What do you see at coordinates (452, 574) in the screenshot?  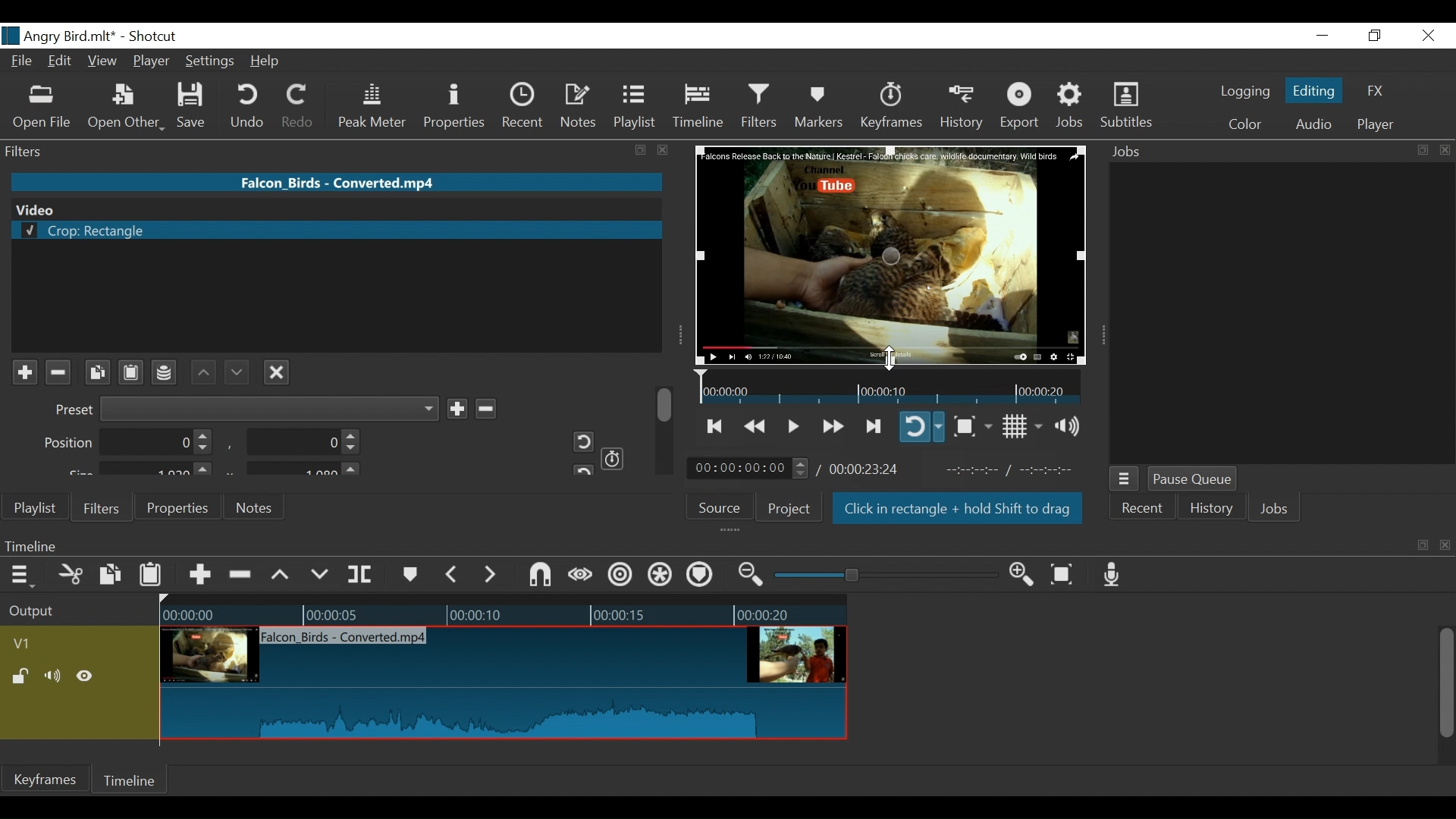 I see `Previous marker` at bounding box center [452, 574].